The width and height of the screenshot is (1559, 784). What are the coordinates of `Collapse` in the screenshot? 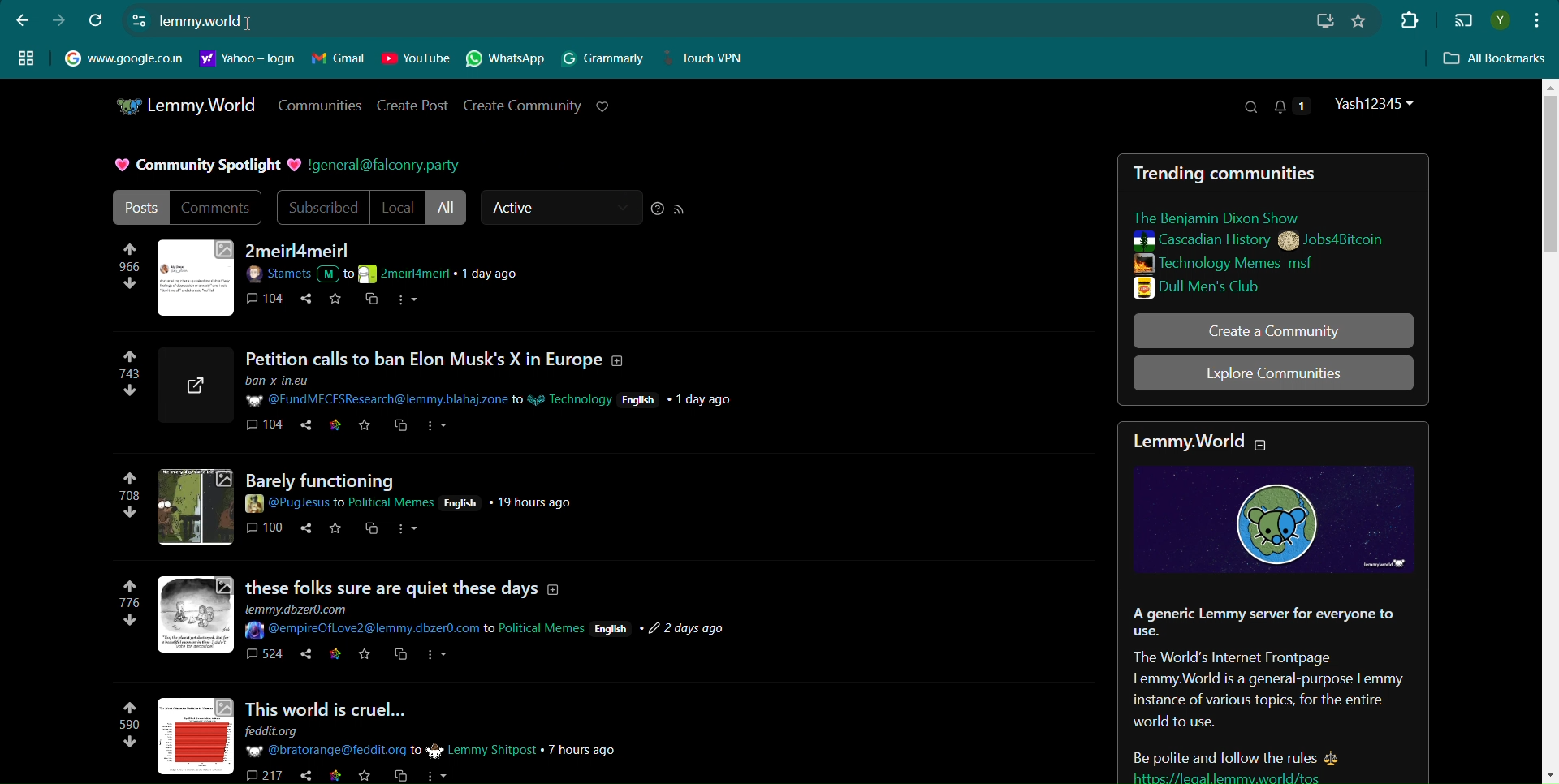 It's located at (1272, 446).